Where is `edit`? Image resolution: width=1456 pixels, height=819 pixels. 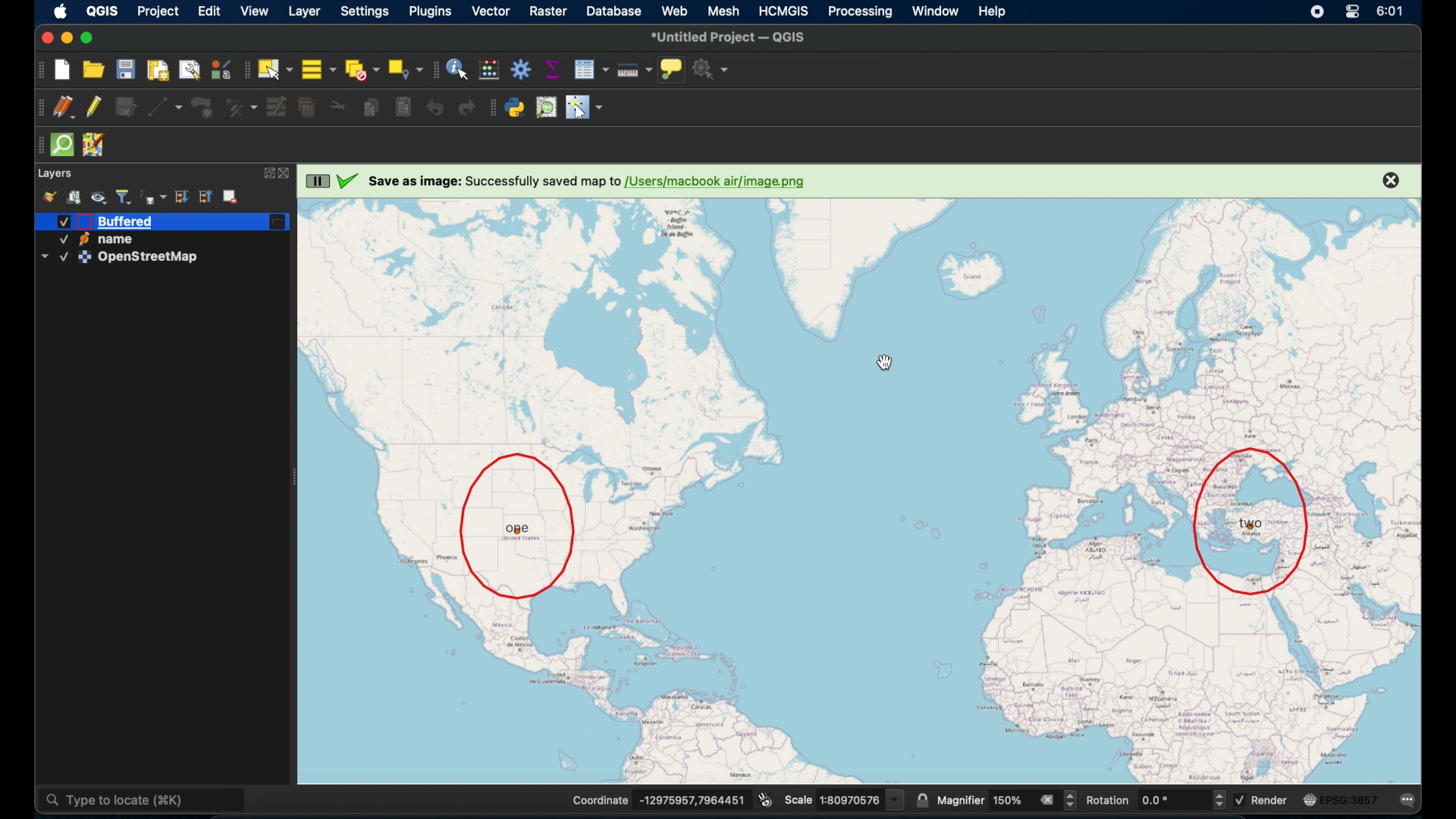 edit is located at coordinates (211, 11).